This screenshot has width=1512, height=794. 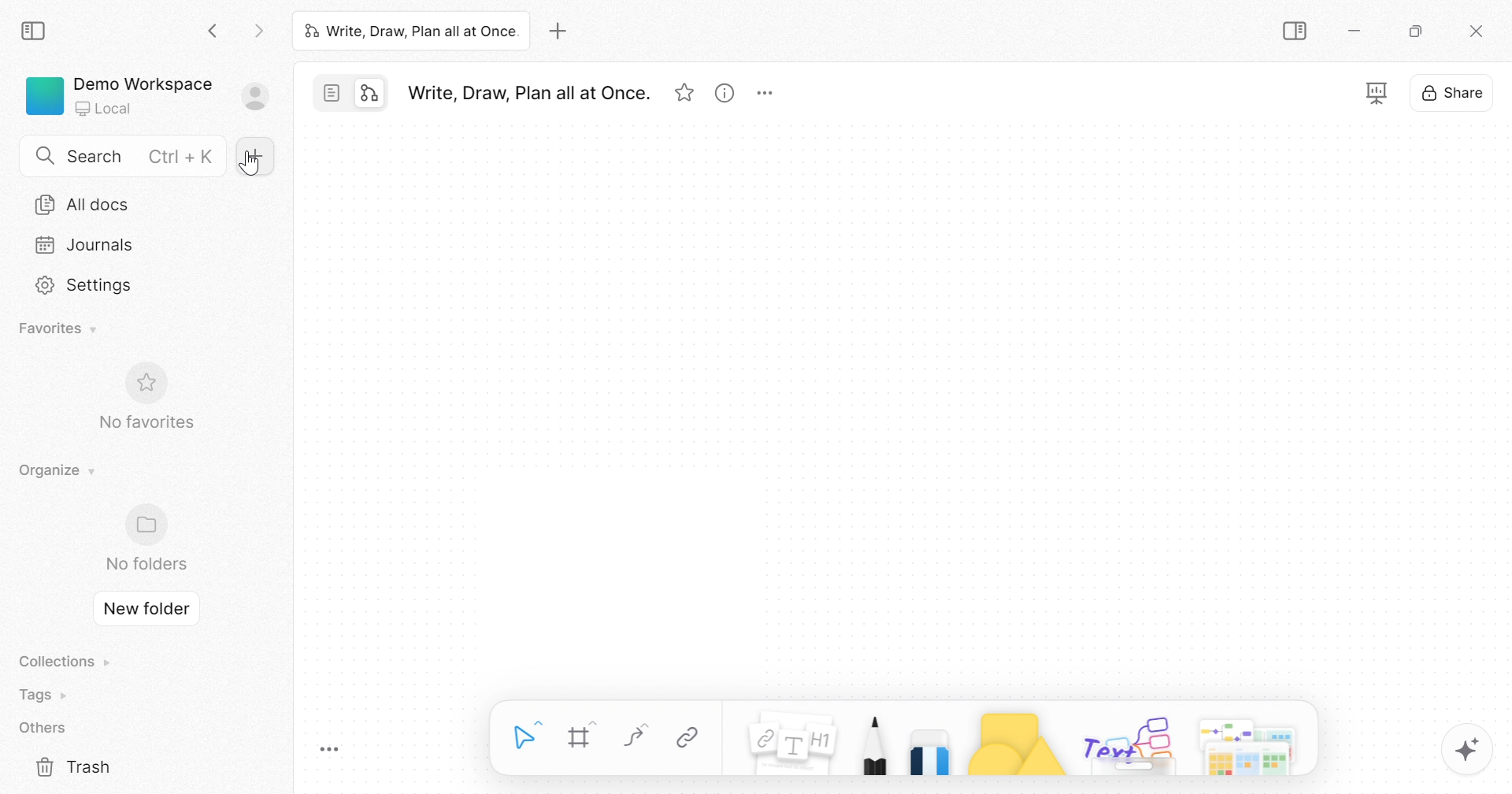 I want to click on Collapse sidebar, so click(x=1295, y=32).